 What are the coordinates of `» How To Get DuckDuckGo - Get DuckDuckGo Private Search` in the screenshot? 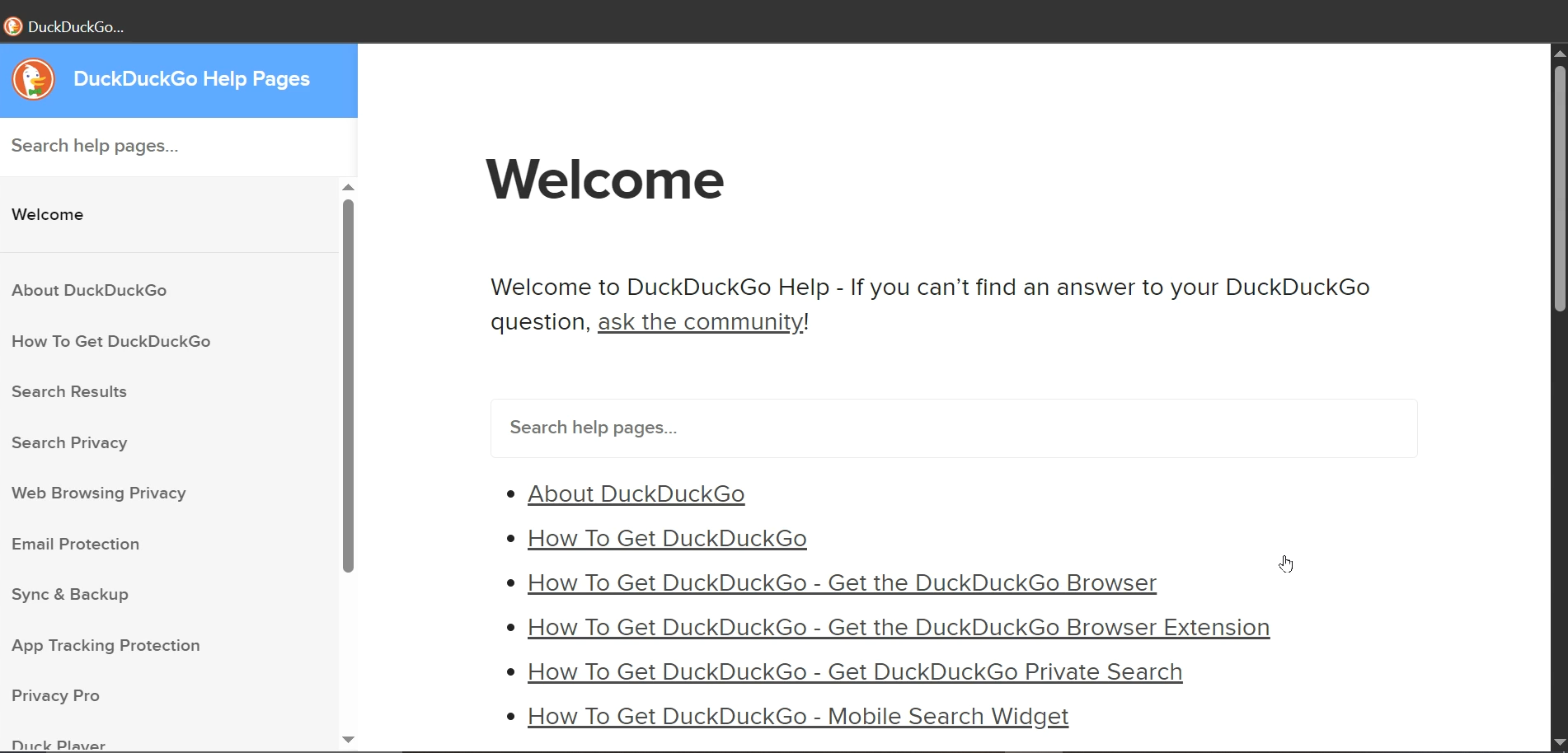 It's located at (854, 676).